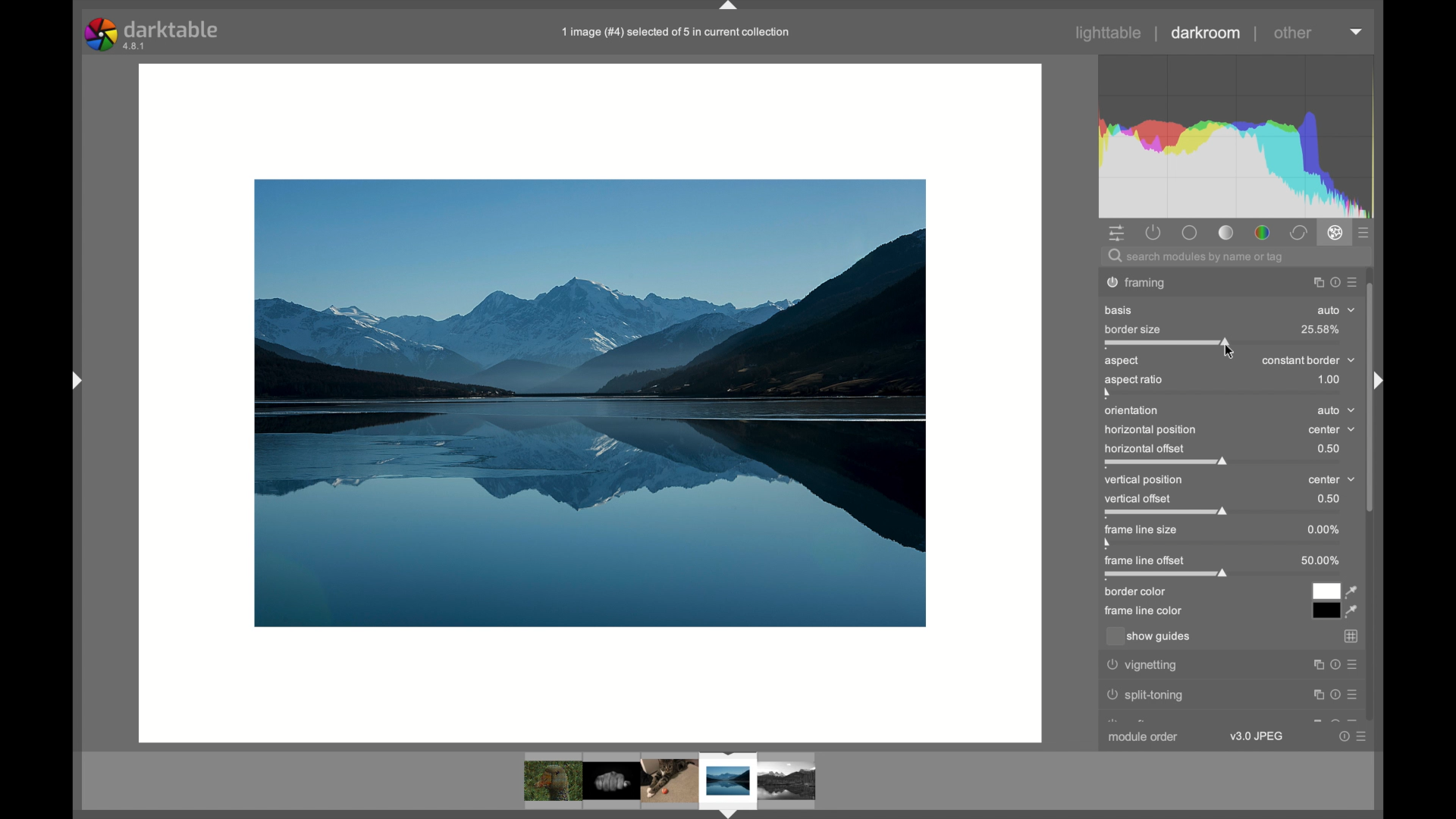 This screenshot has height=819, width=1456. Describe the element at coordinates (1133, 411) in the screenshot. I see `orientation` at that location.